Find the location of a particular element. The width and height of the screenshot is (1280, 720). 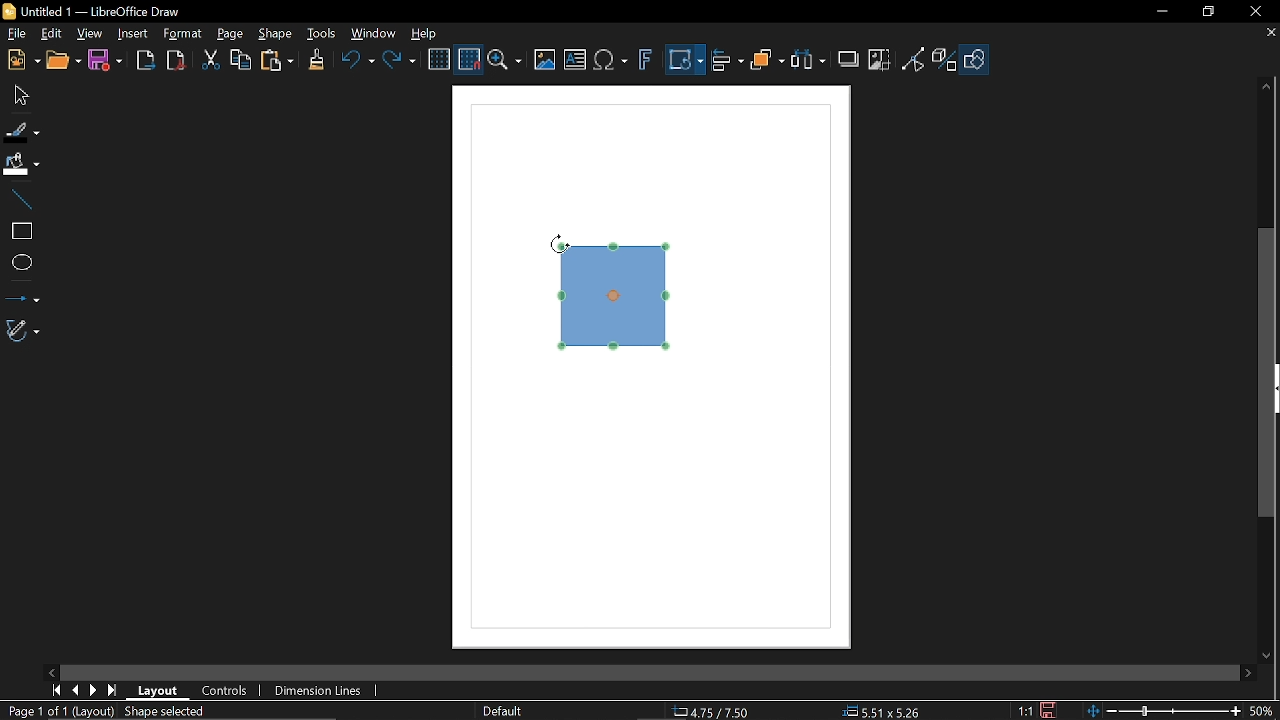

Slide master name is located at coordinates (503, 709).